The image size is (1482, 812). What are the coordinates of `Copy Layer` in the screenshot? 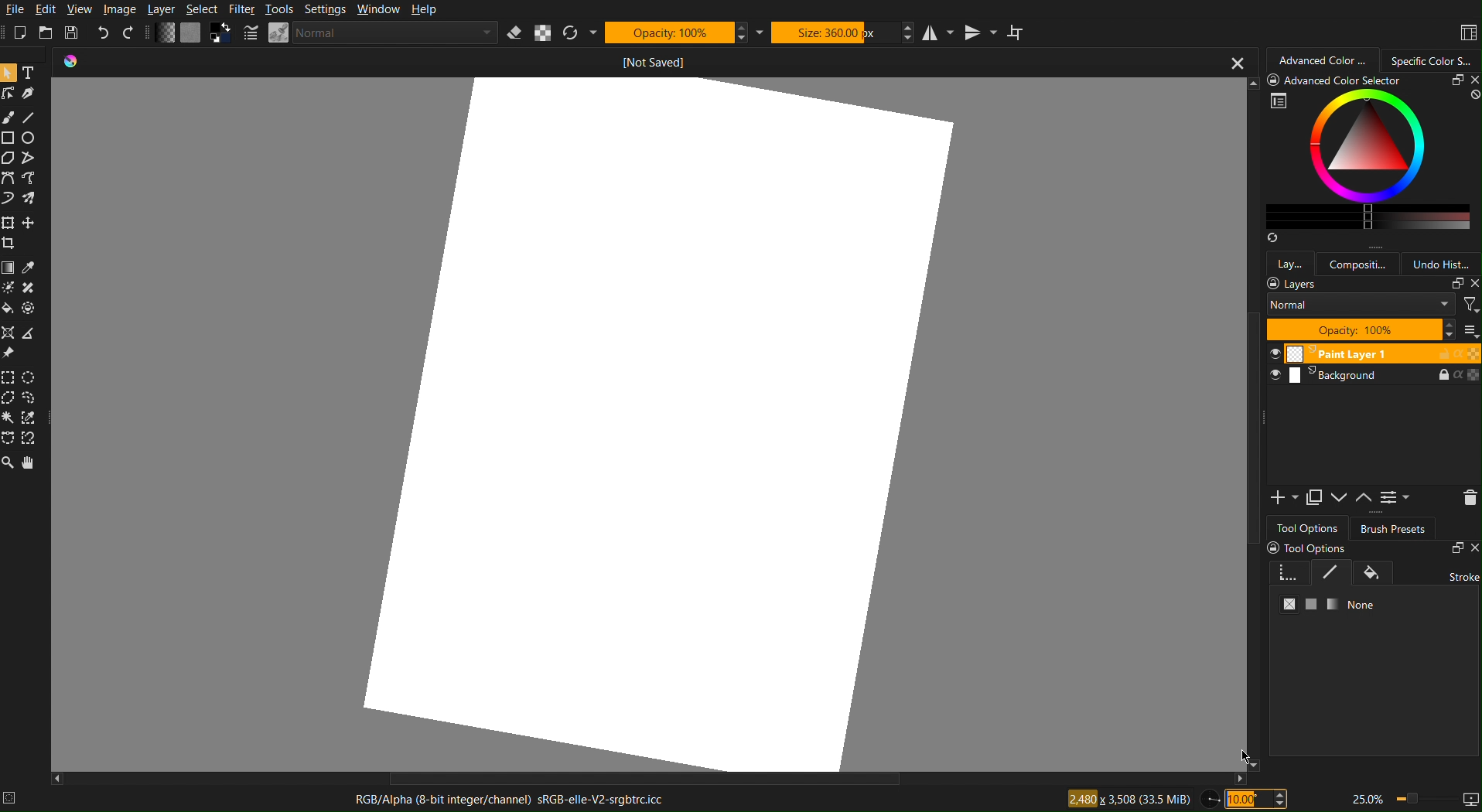 It's located at (1314, 498).